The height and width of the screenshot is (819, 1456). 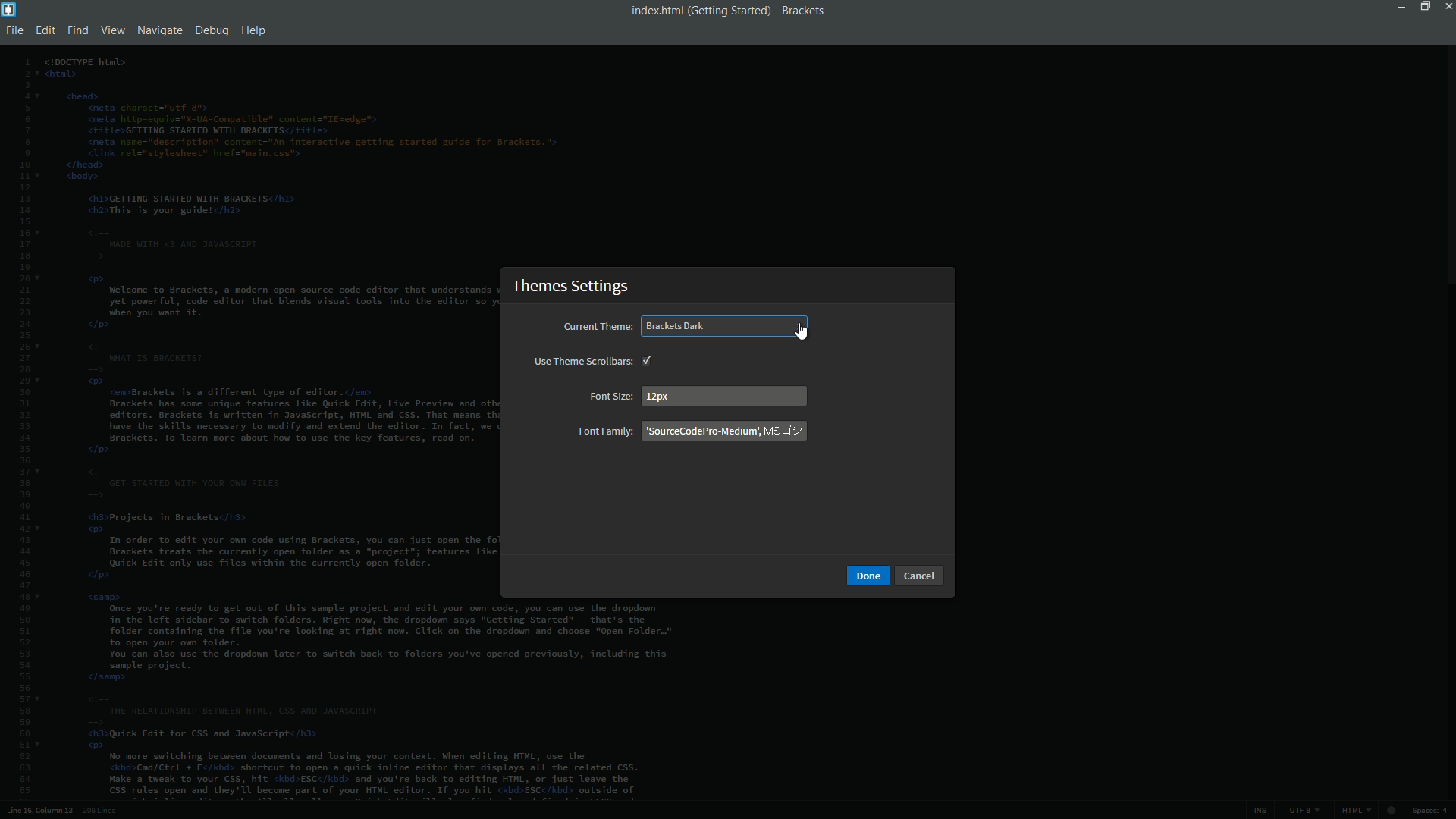 What do you see at coordinates (729, 11) in the screenshot?
I see `getting started` at bounding box center [729, 11].